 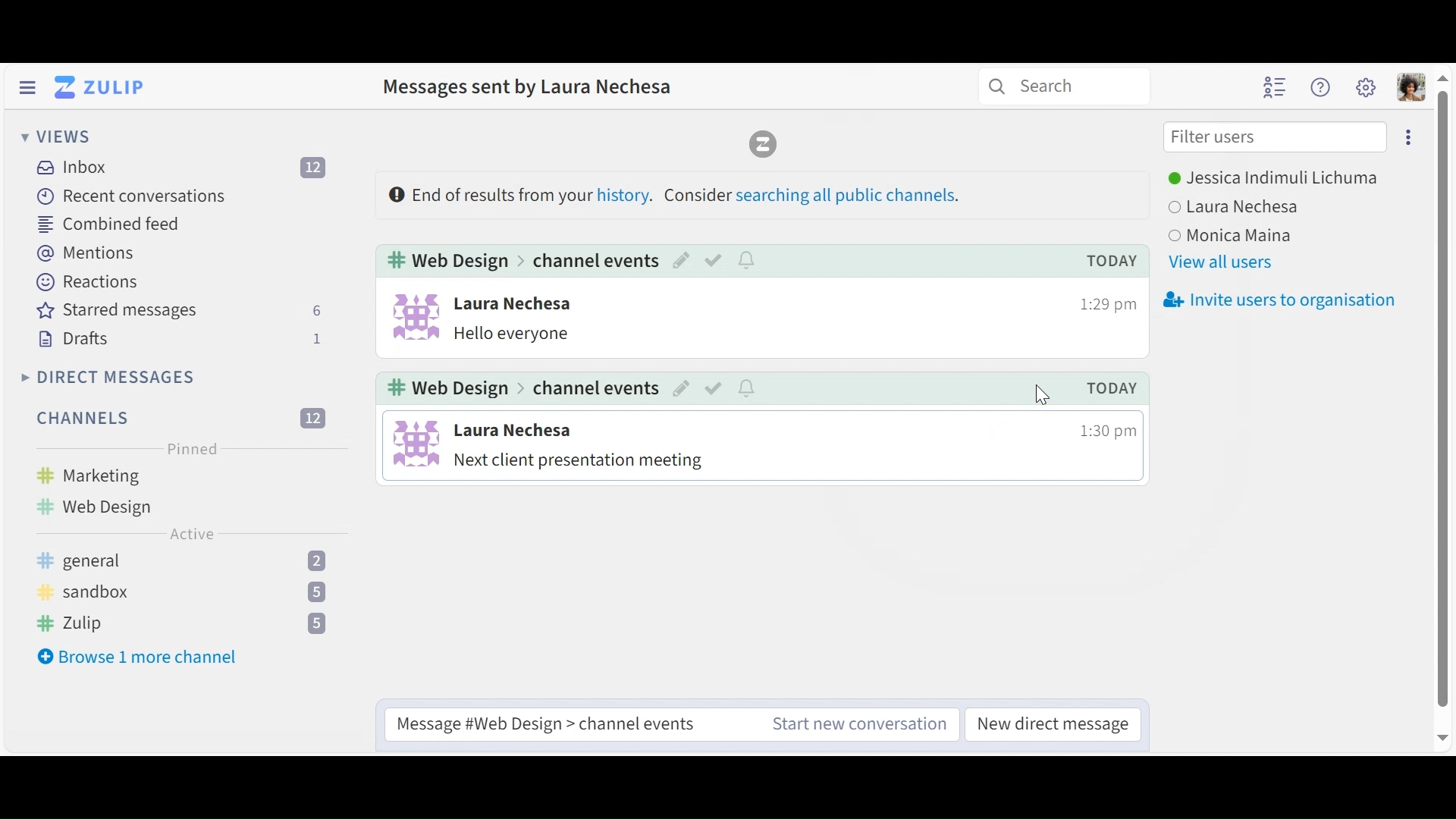 What do you see at coordinates (102, 87) in the screenshot?
I see `Go to Home View (Inbox)` at bounding box center [102, 87].